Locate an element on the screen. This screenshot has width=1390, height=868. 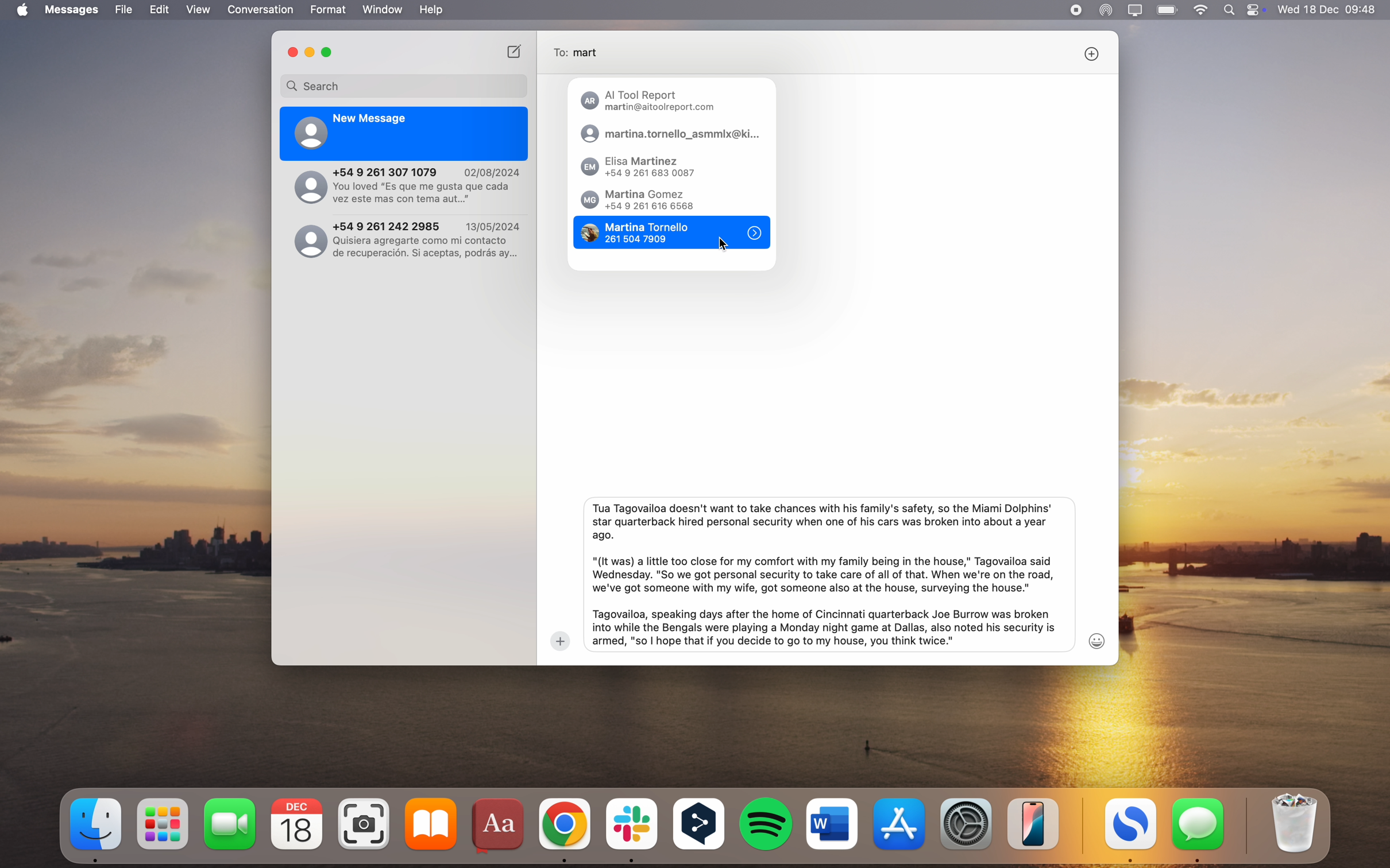
iphone mirroring is located at coordinates (1034, 823).